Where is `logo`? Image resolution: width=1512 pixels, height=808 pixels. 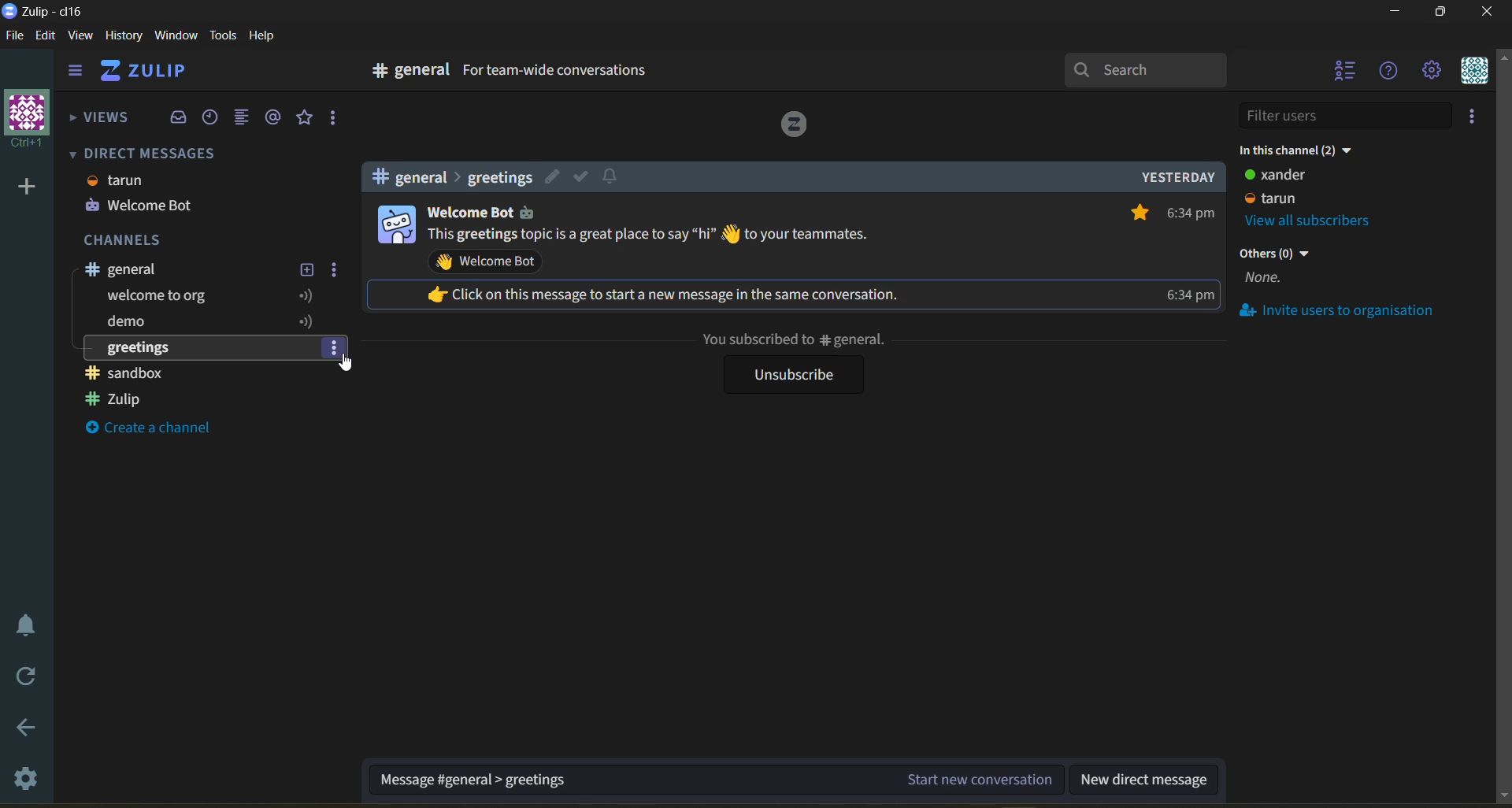
logo is located at coordinates (795, 127).